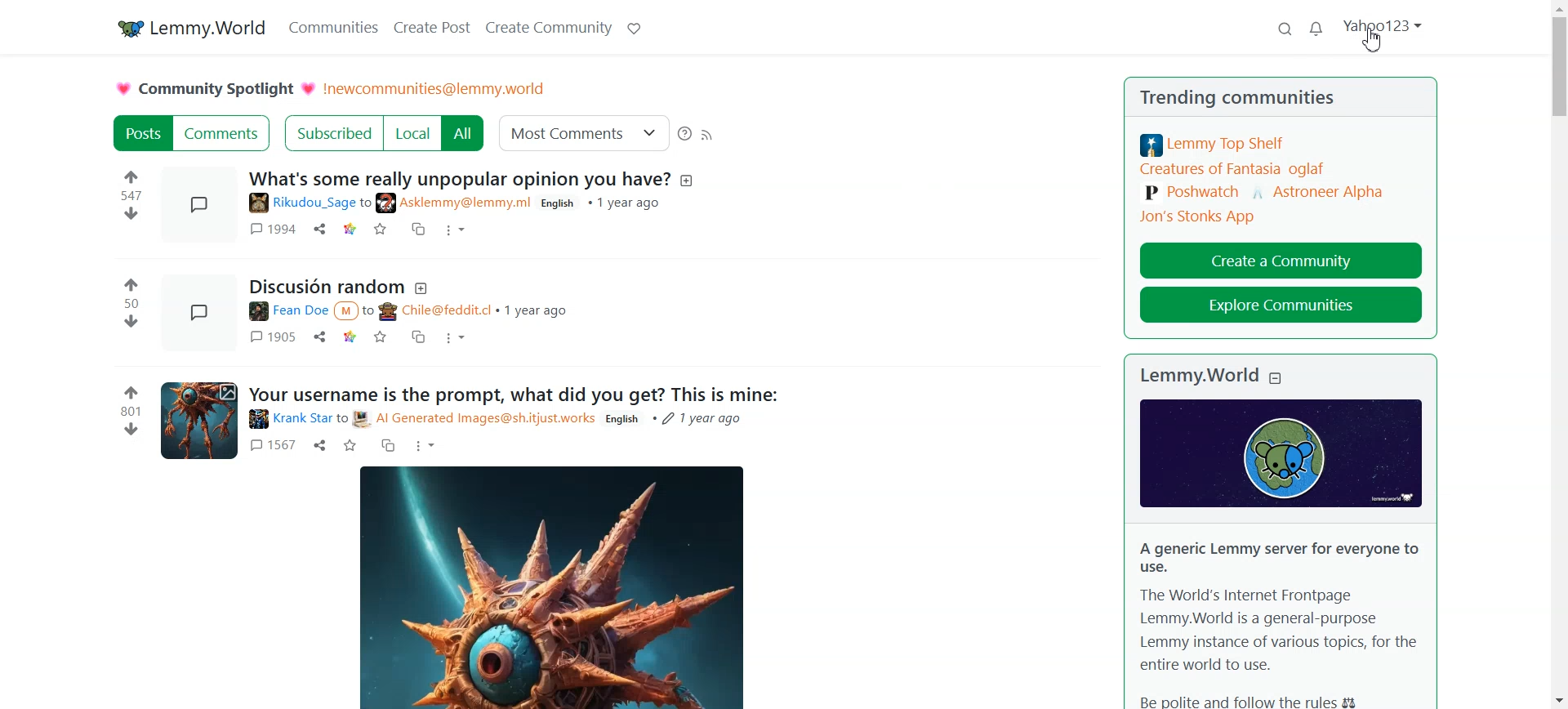 Image resolution: width=1568 pixels, height=709 pixels. What do you see at coordinates (131, 304) in the screenshot?
I see `50` at bounding box center [131, 304].